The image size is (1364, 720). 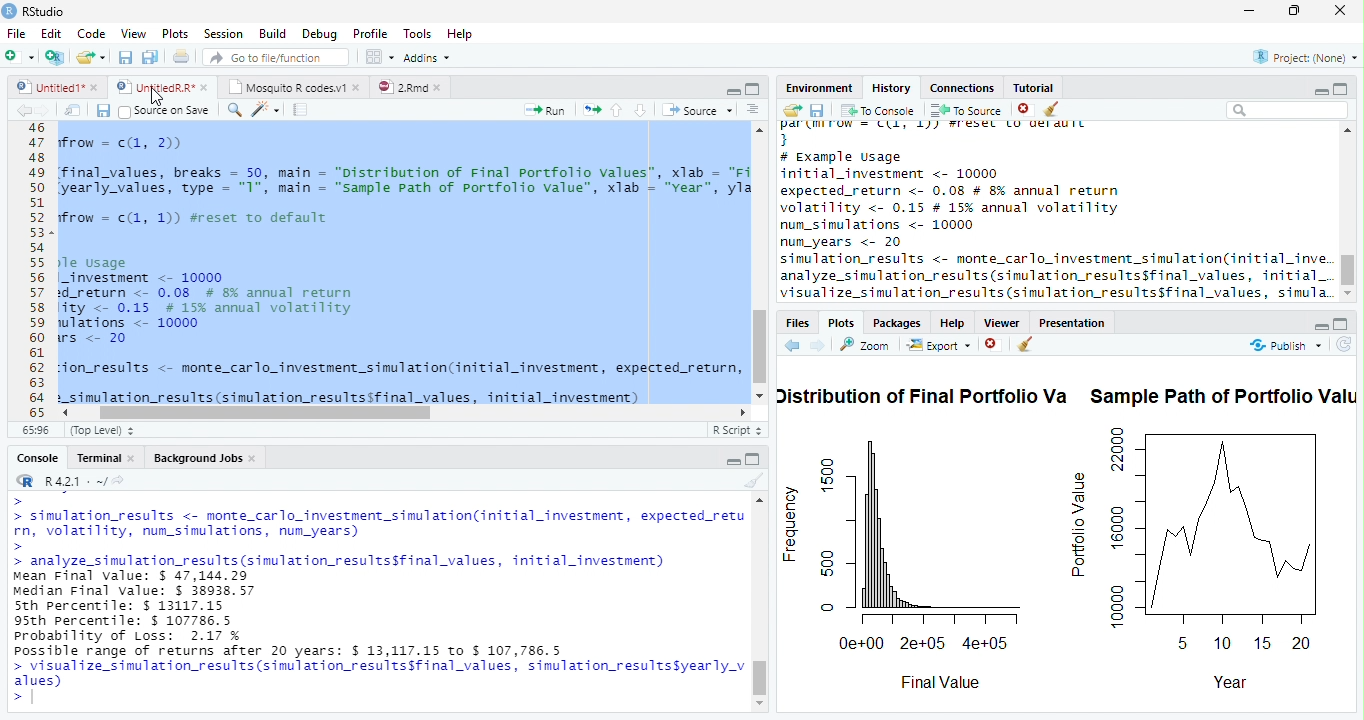 I want to click on Packages, so click(x=896, y=321).